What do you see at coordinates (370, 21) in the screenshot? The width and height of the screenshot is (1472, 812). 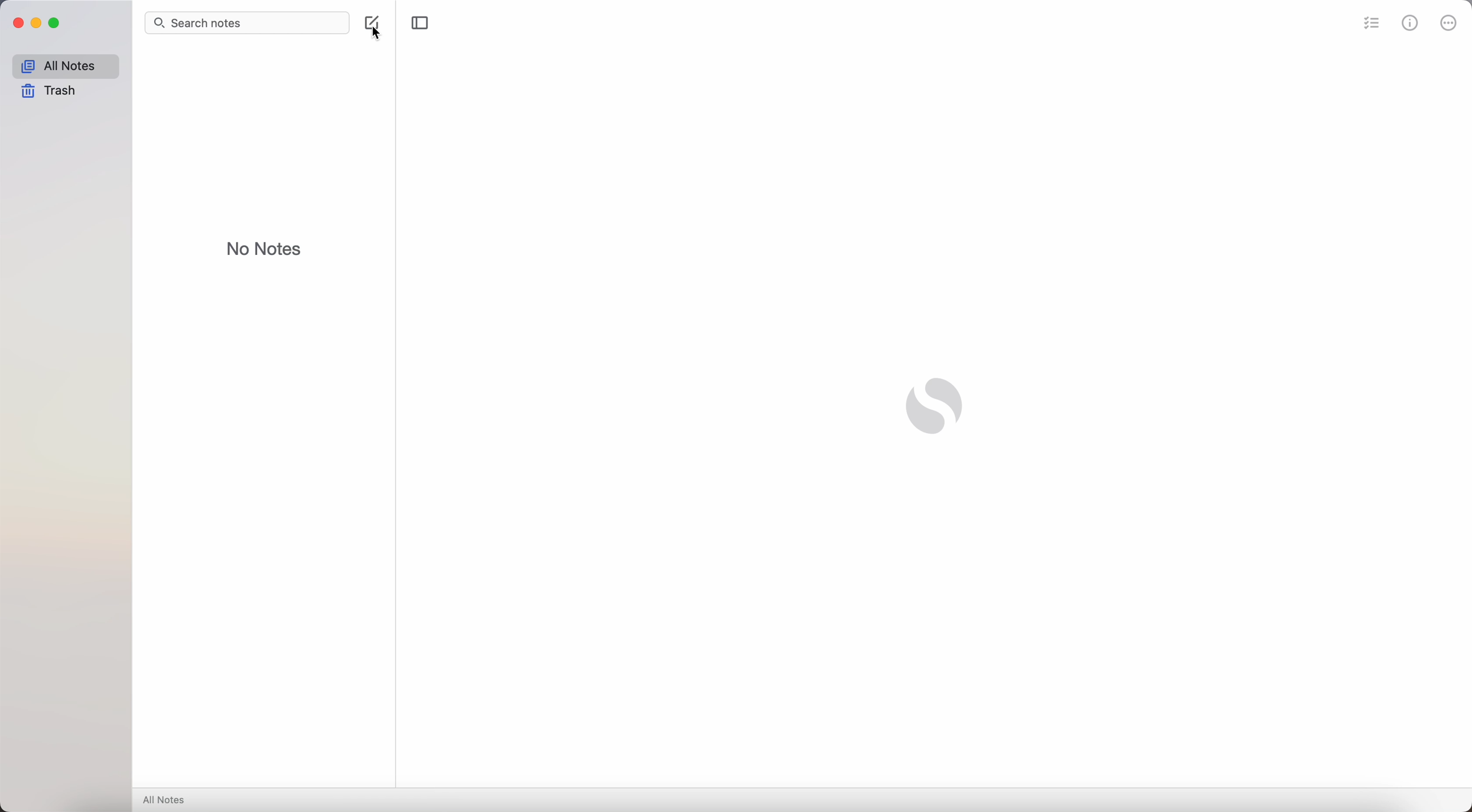 I see `create note` at bounding box center [370, 21].